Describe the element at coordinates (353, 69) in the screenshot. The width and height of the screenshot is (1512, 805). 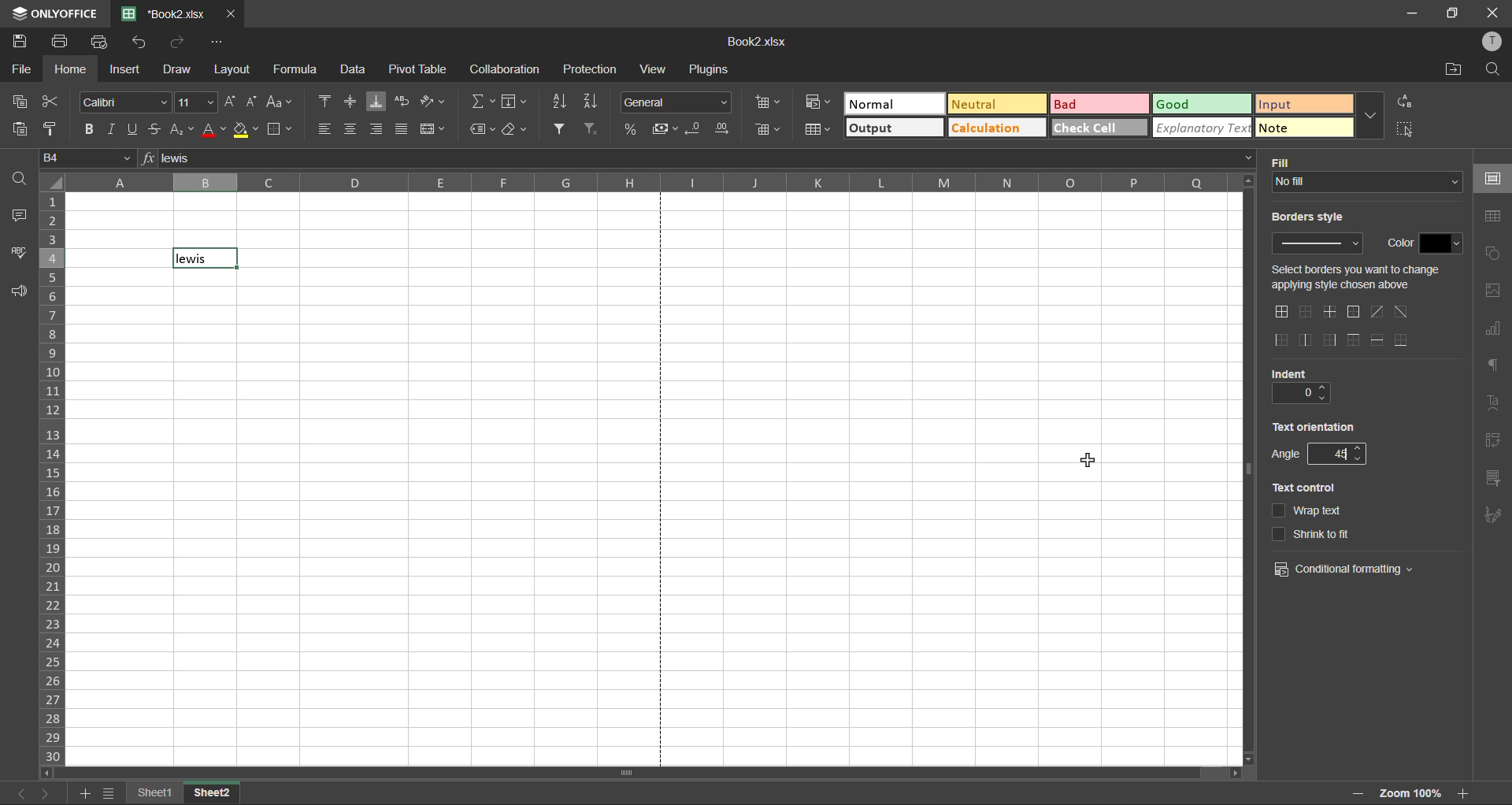
I see `data` at that location.